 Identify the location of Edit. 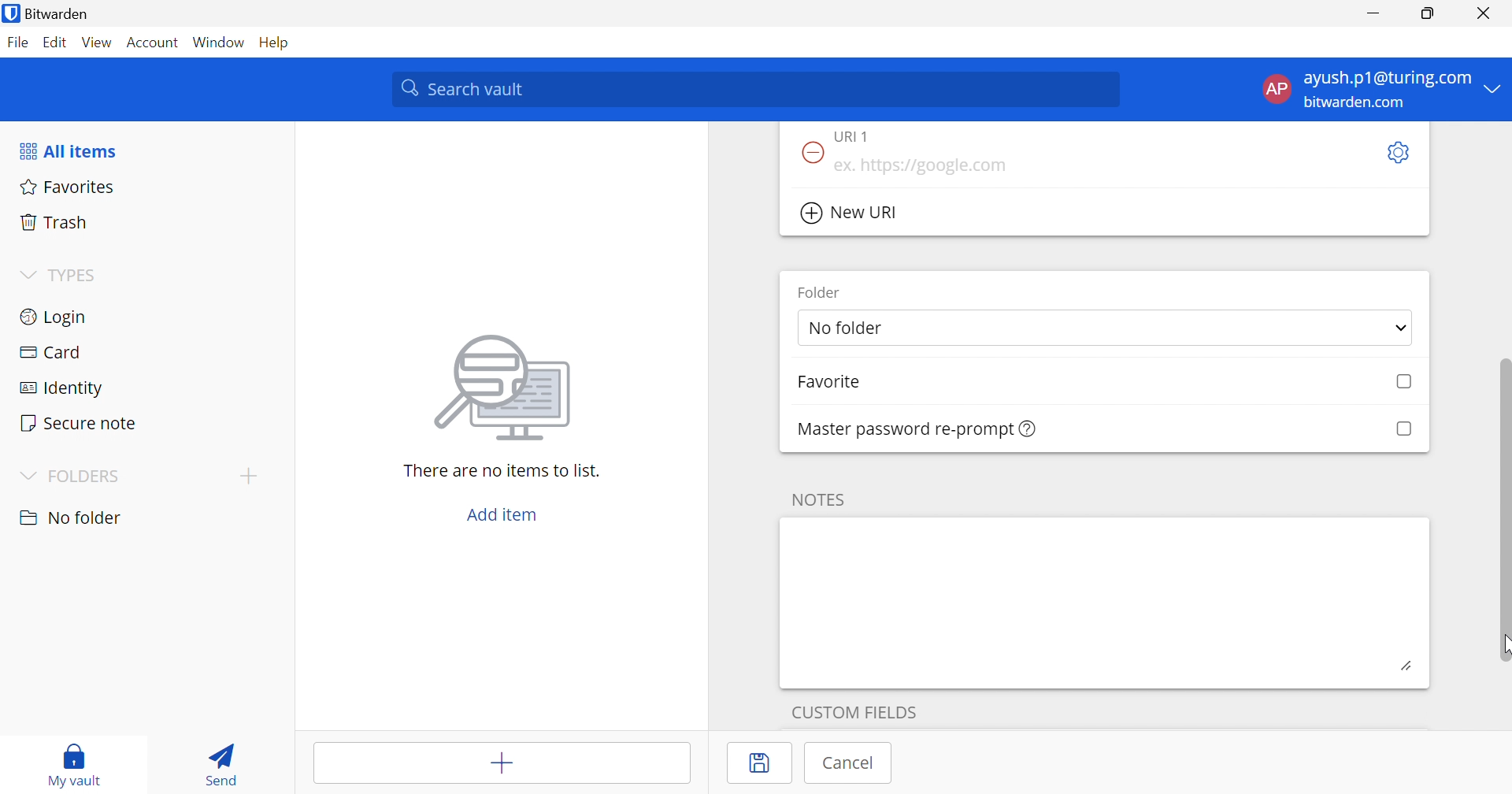
(54, 43).